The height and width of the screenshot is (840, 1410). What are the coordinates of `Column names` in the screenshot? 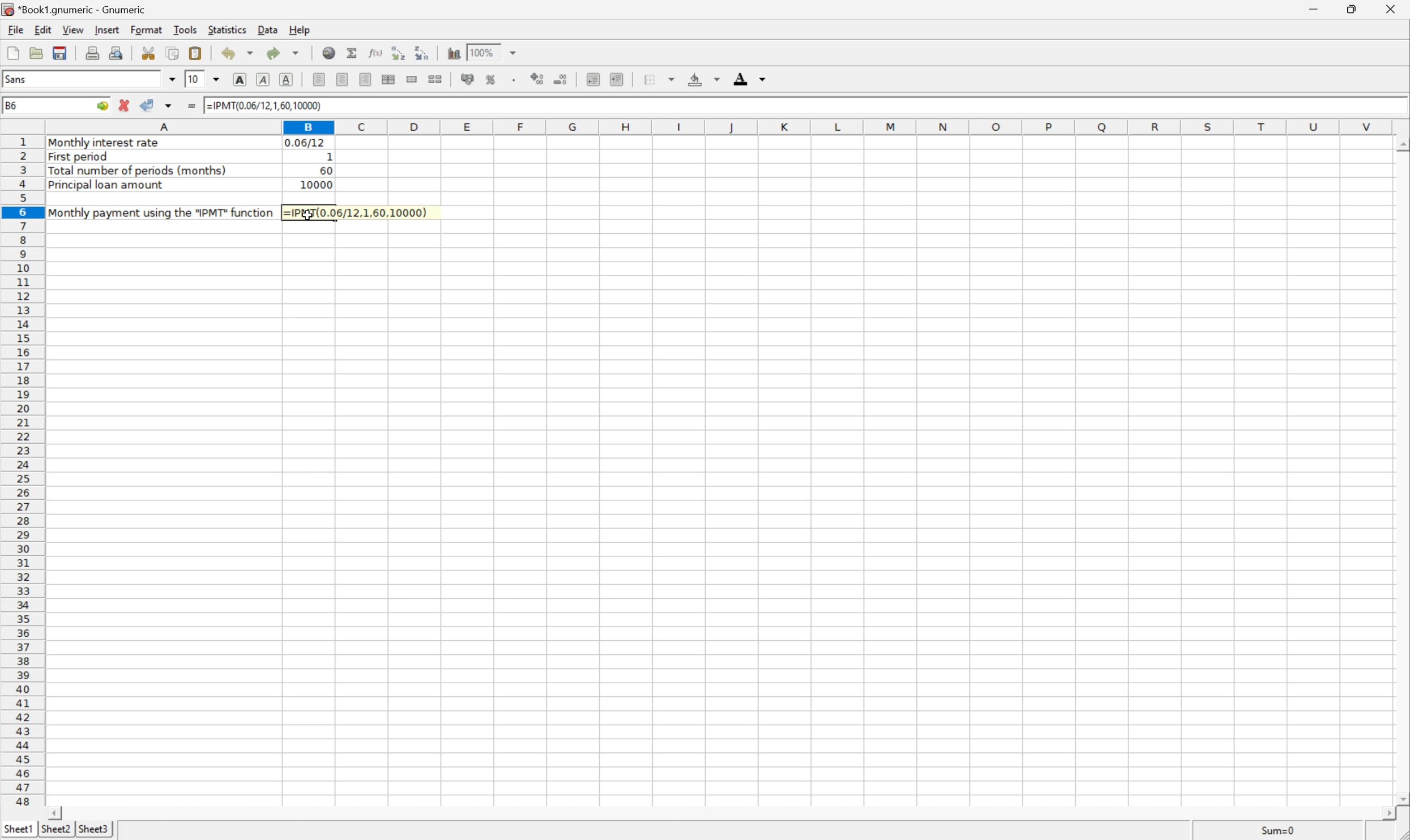 It's located at (719, 128).